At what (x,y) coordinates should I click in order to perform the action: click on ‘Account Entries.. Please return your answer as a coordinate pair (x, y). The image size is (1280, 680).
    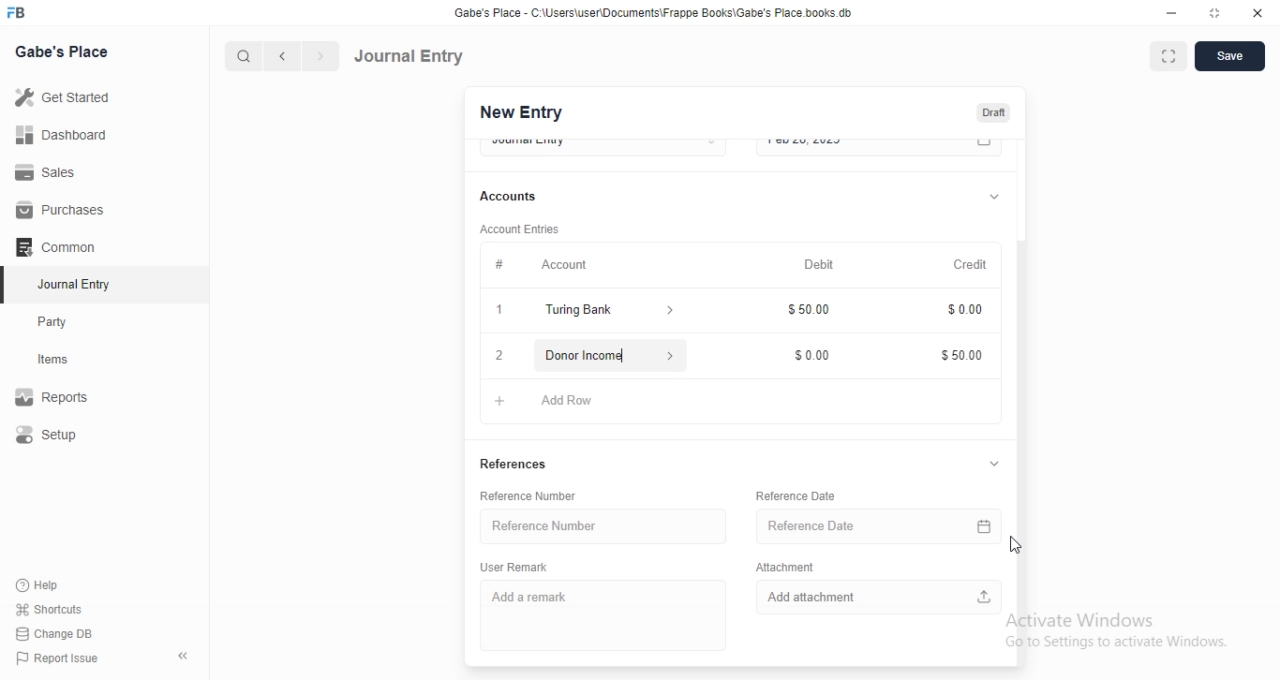
    Looking at the image, I should click on (522, 232).